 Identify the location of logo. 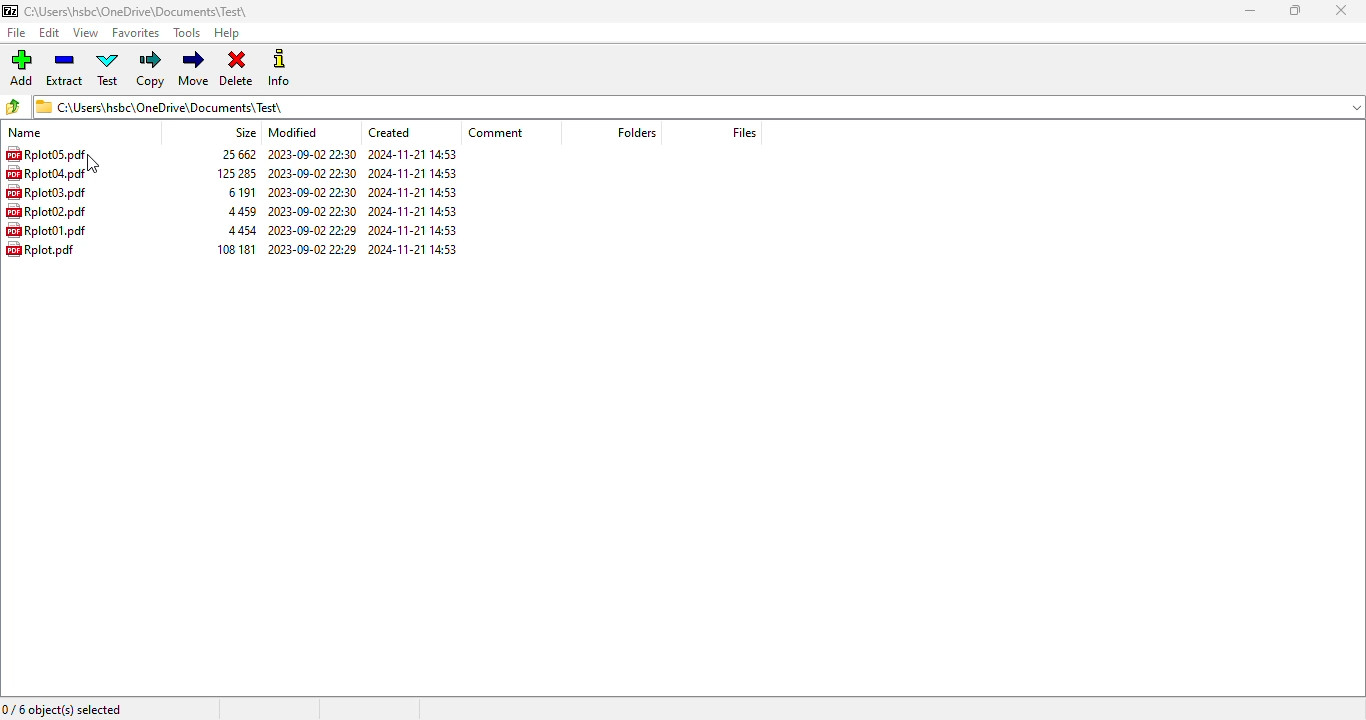
(10, 11).